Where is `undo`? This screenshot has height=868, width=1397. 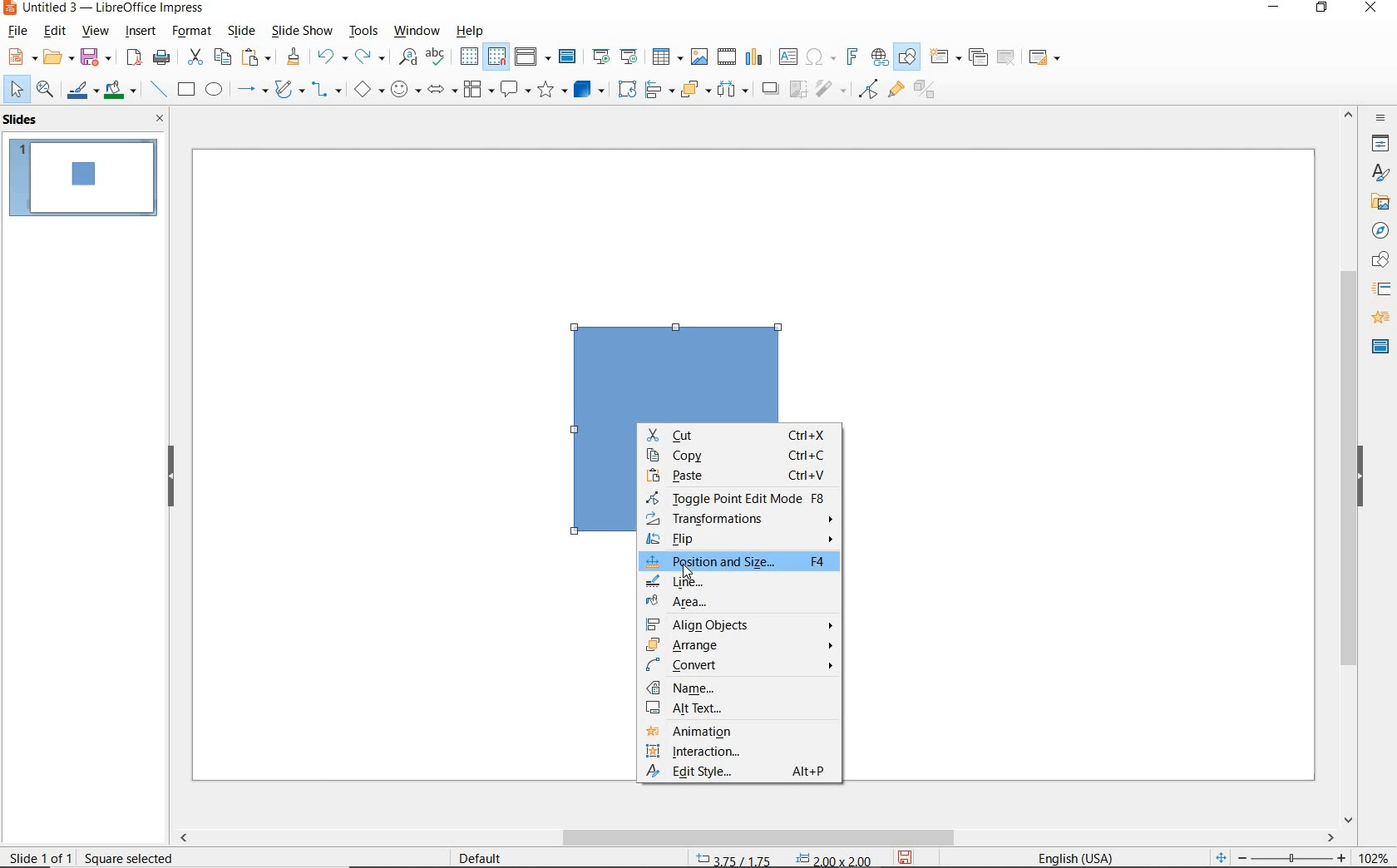 undo is located at coordinates (330, 57).